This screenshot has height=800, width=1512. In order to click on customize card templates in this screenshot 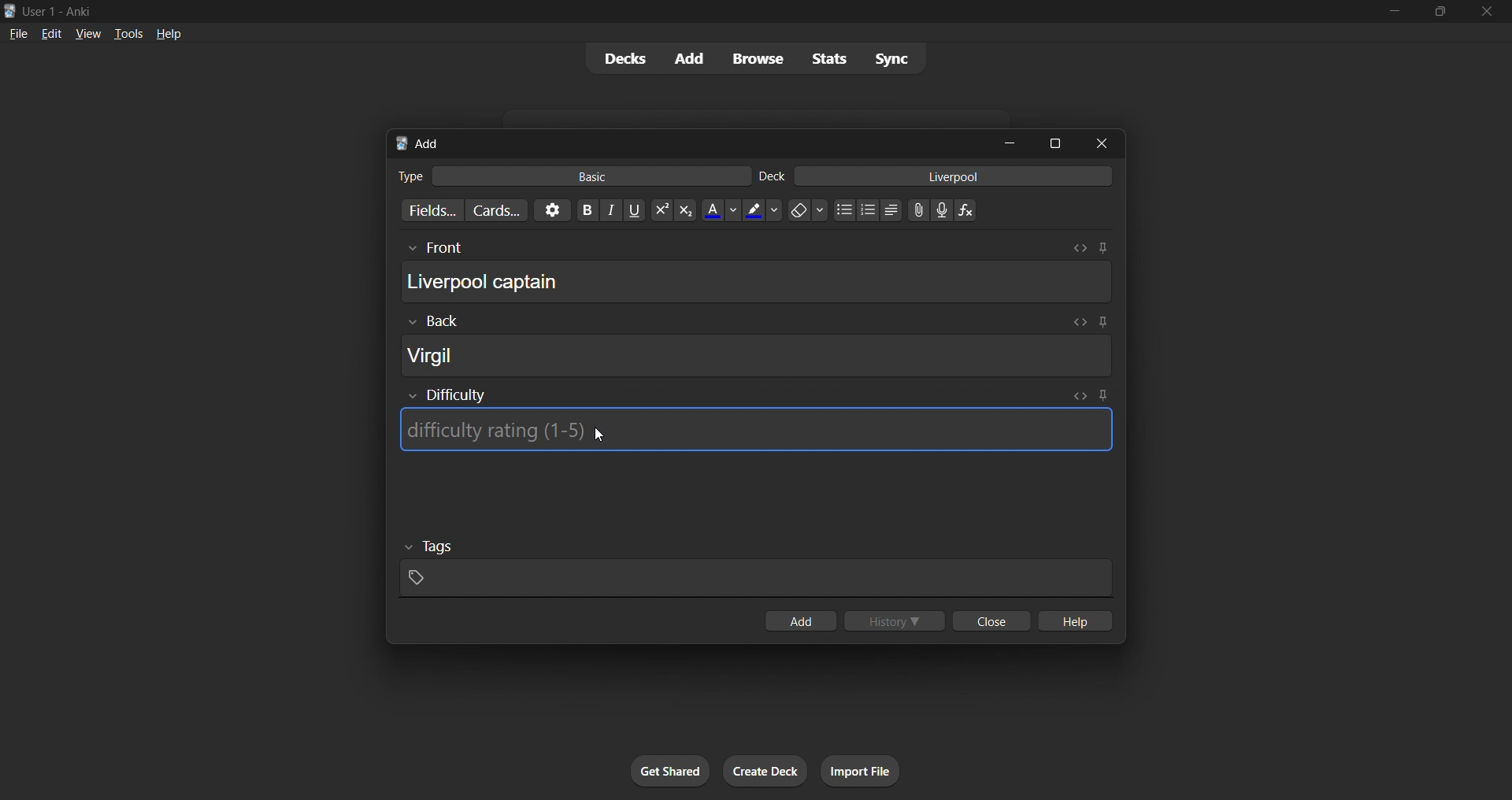, I will do `click(496, 211)`.